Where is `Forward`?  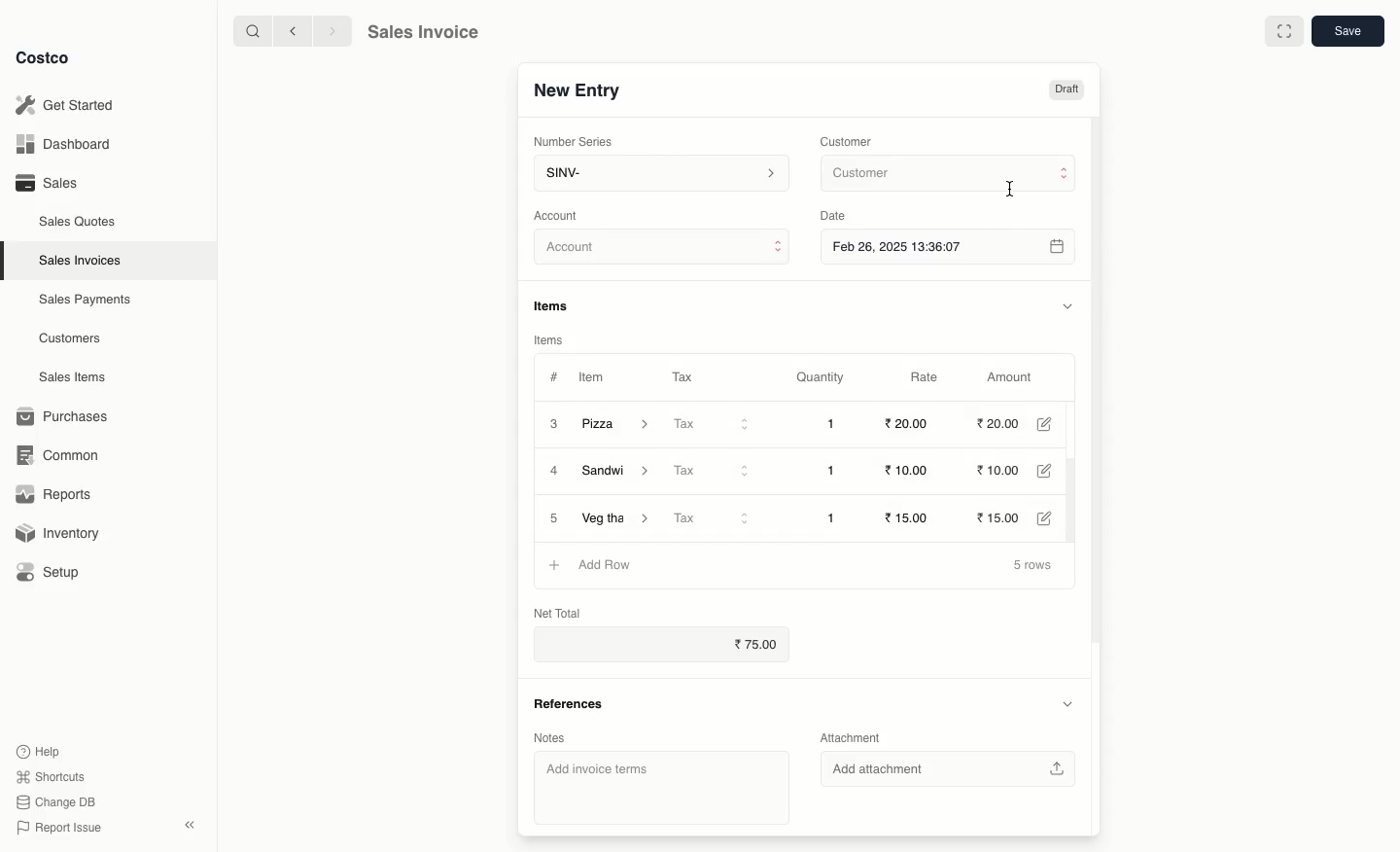
Forward is located at coordinates (332, 32).